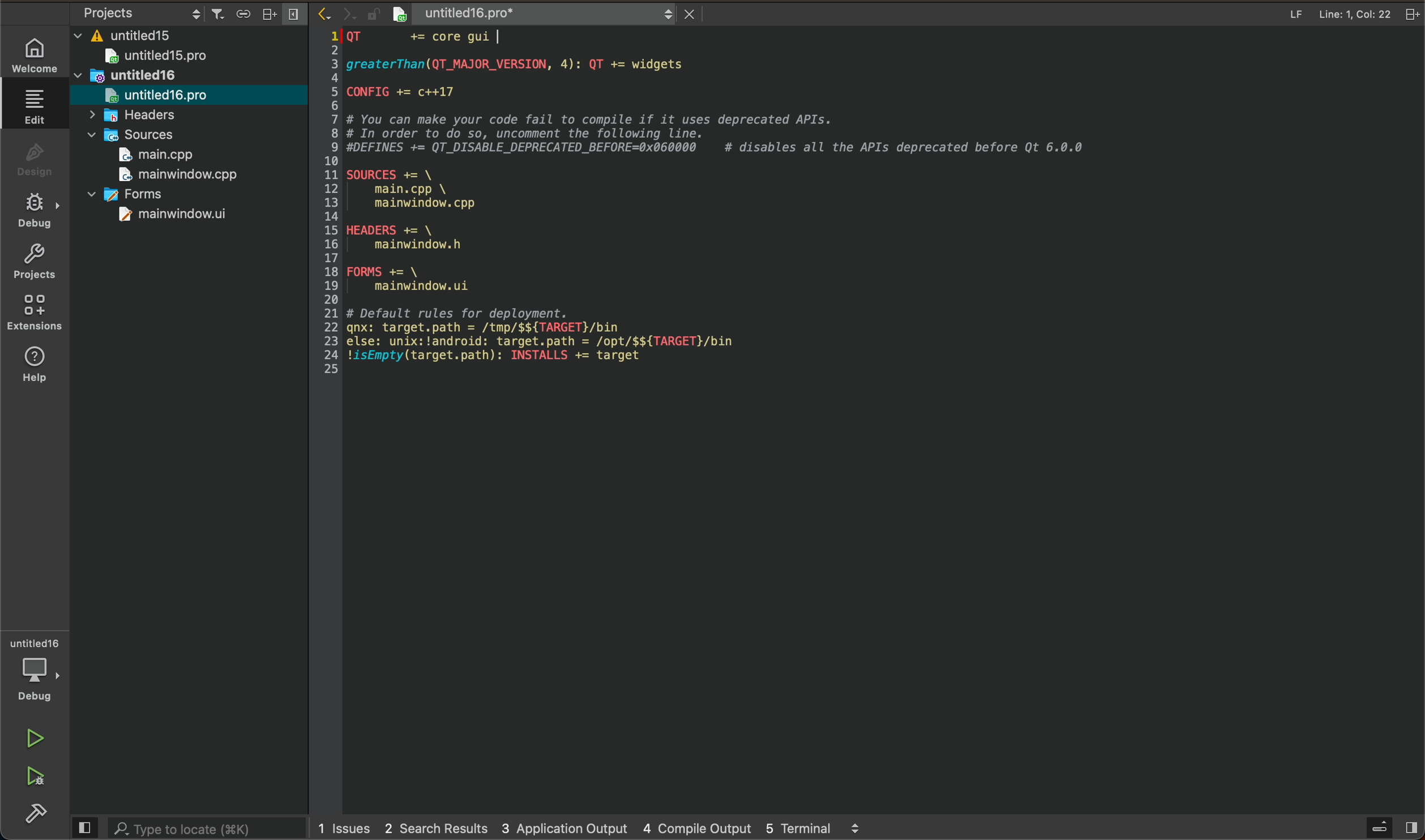 This screenshot has width=1425, height=840. I want to click on project settings , so click(183, 12).